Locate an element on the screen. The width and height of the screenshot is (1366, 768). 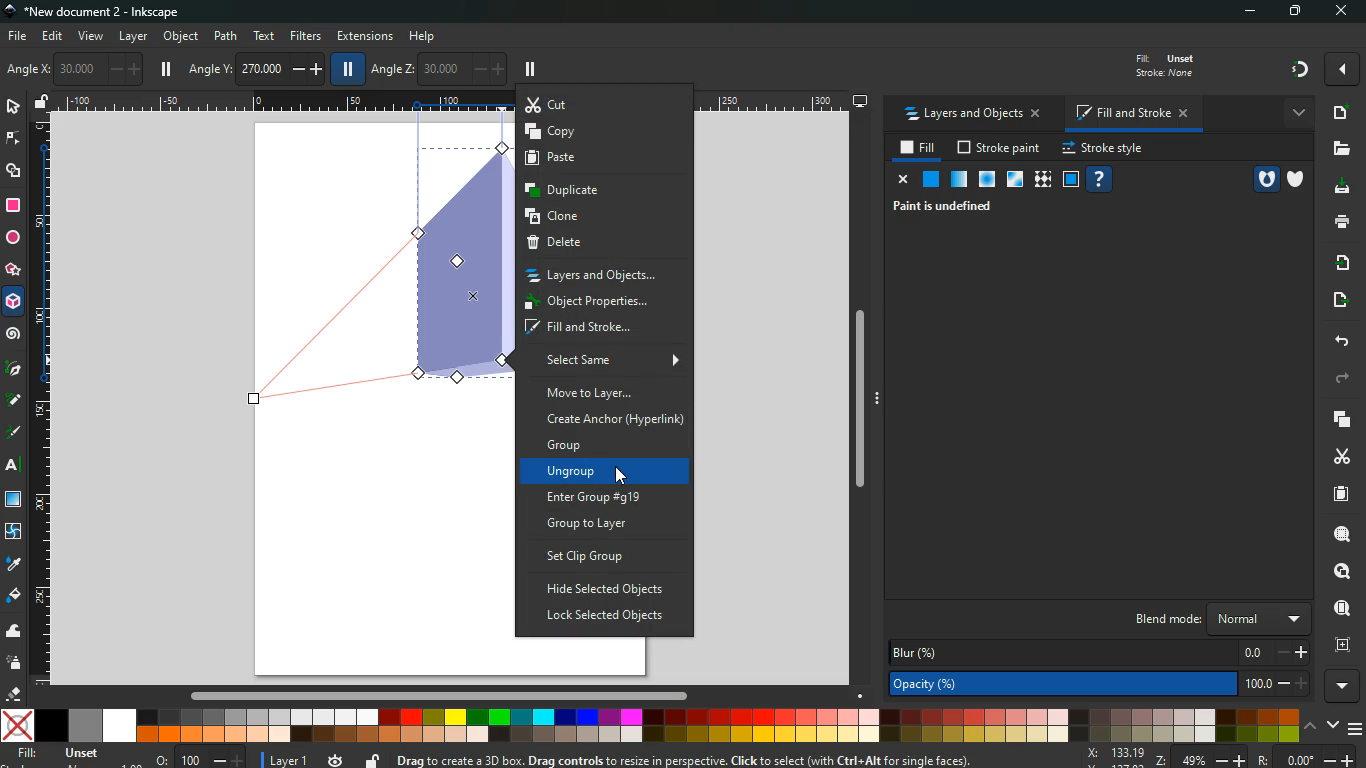
object is located at coordinates (183, 38).